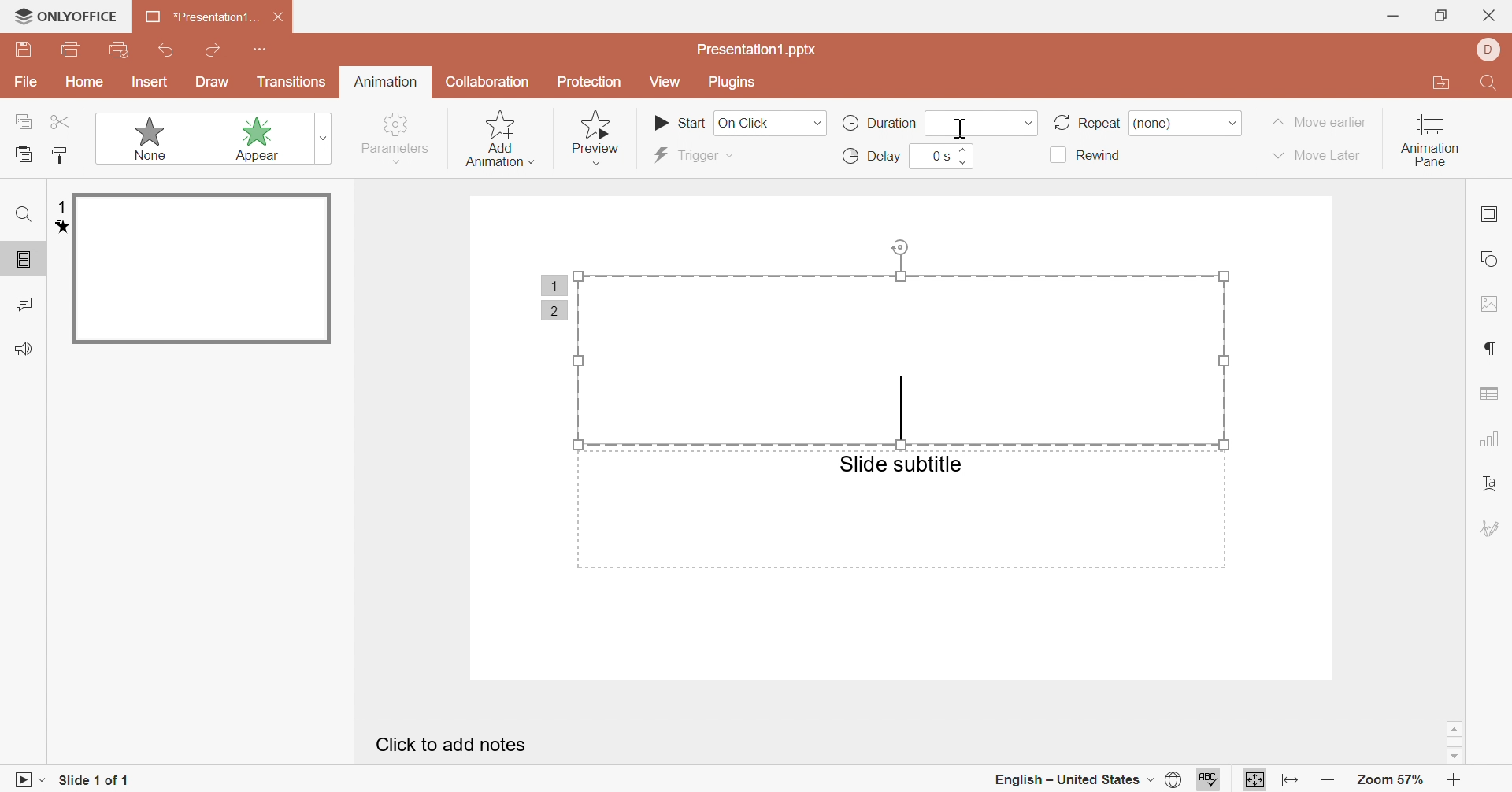  What do you see at coordinates (1491, 438) in the screenshot?
I see `chart settings` at bounding box center [1491, 438].